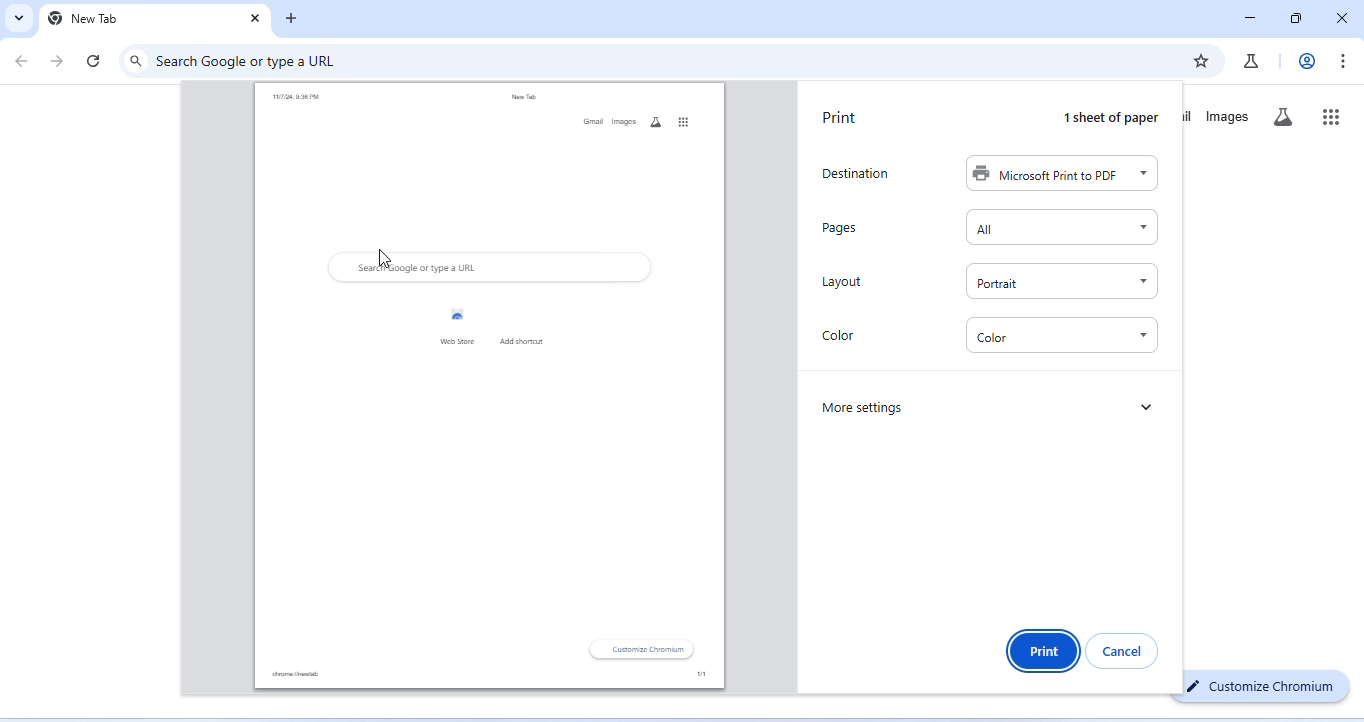 The height and width of the screenshot is (722, 1364). I want to click on drop down, so click(1149, 404).